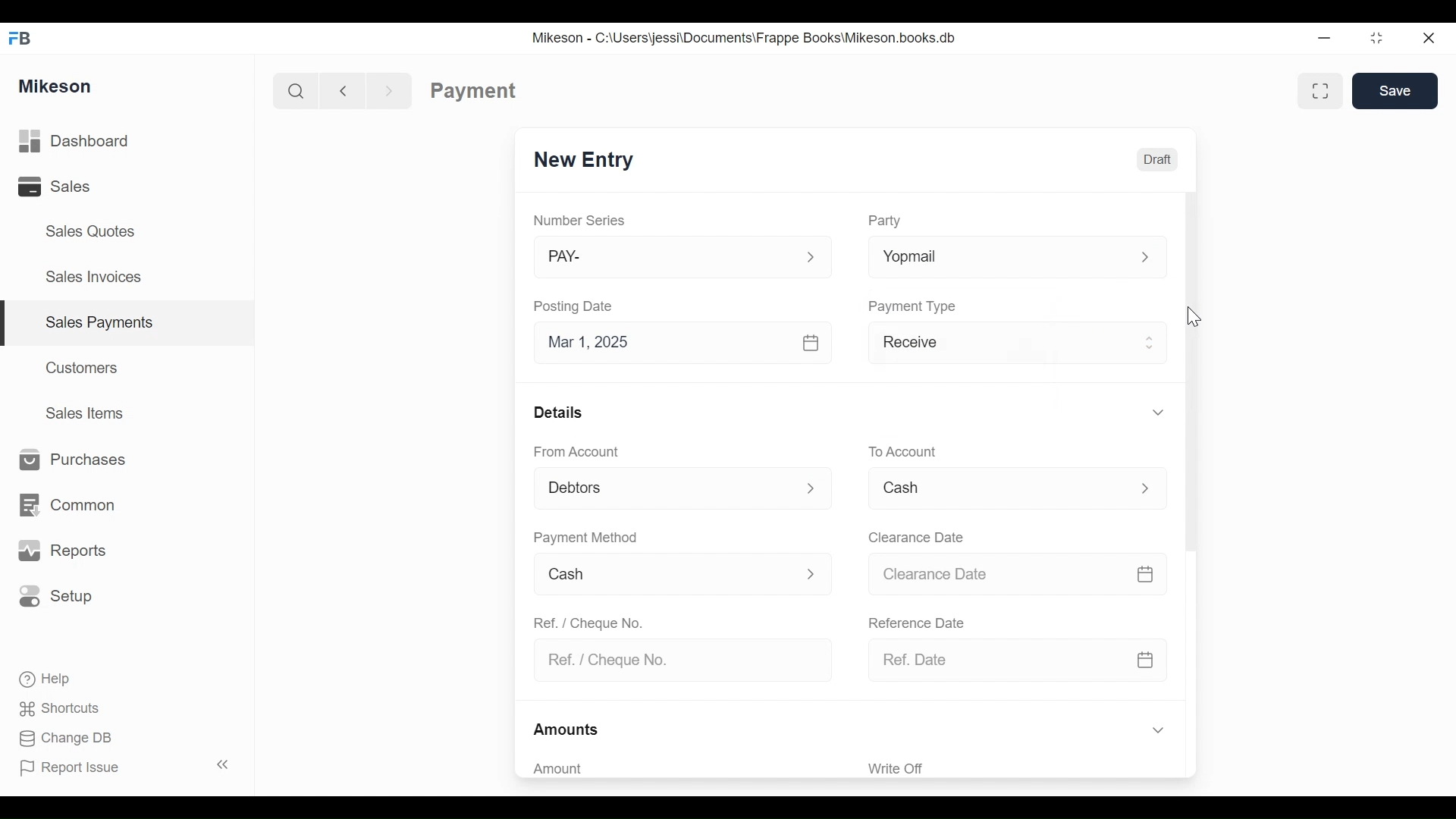  Describe the element at coordinates (1025, 345) in the screenshot. I see `Receive` at that location.